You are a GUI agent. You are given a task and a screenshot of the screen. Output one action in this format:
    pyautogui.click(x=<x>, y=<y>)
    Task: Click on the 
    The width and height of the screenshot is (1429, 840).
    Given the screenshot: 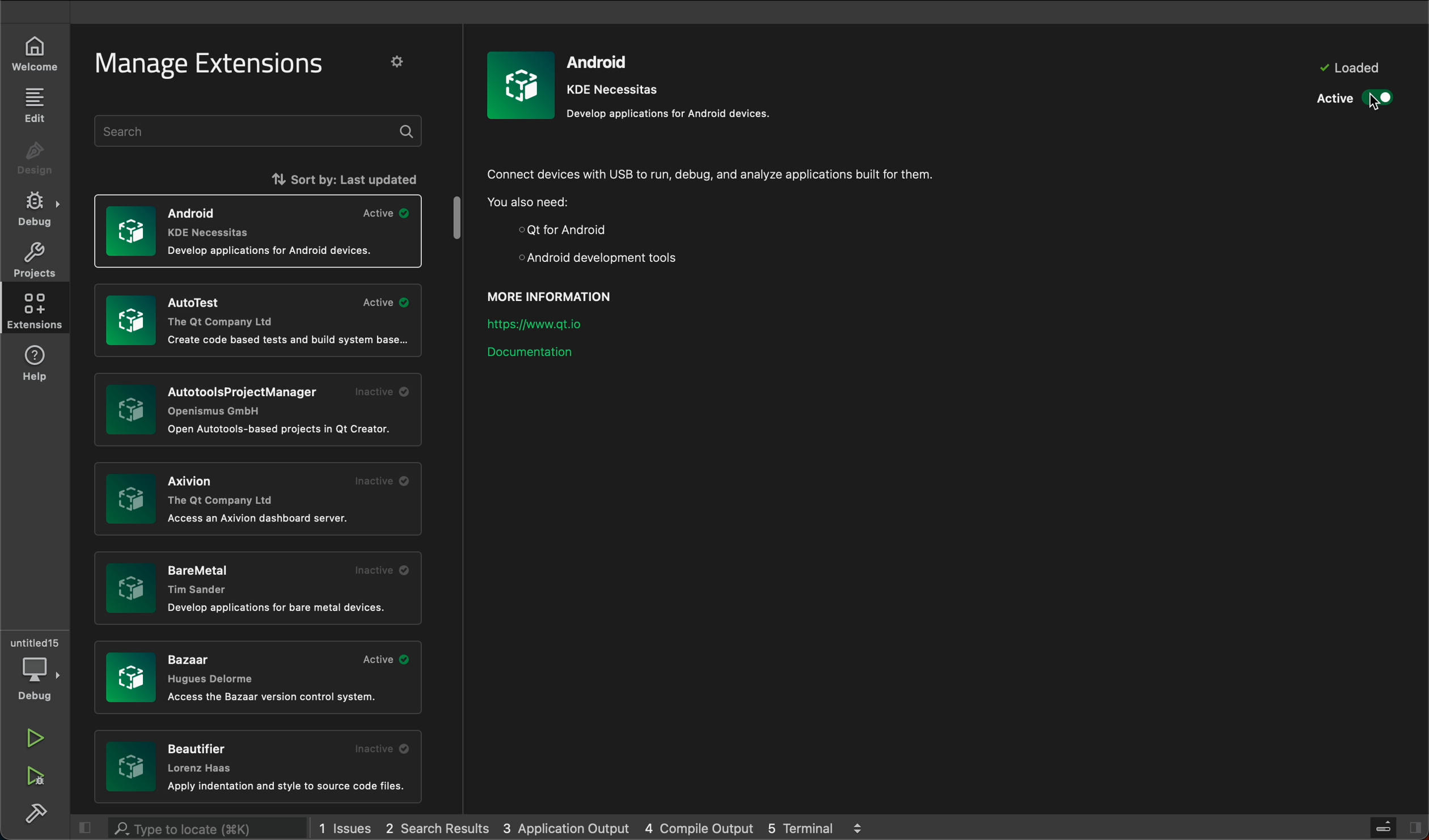 What is the action you would take?
    pyautogui.click(x=253, y=409)
    